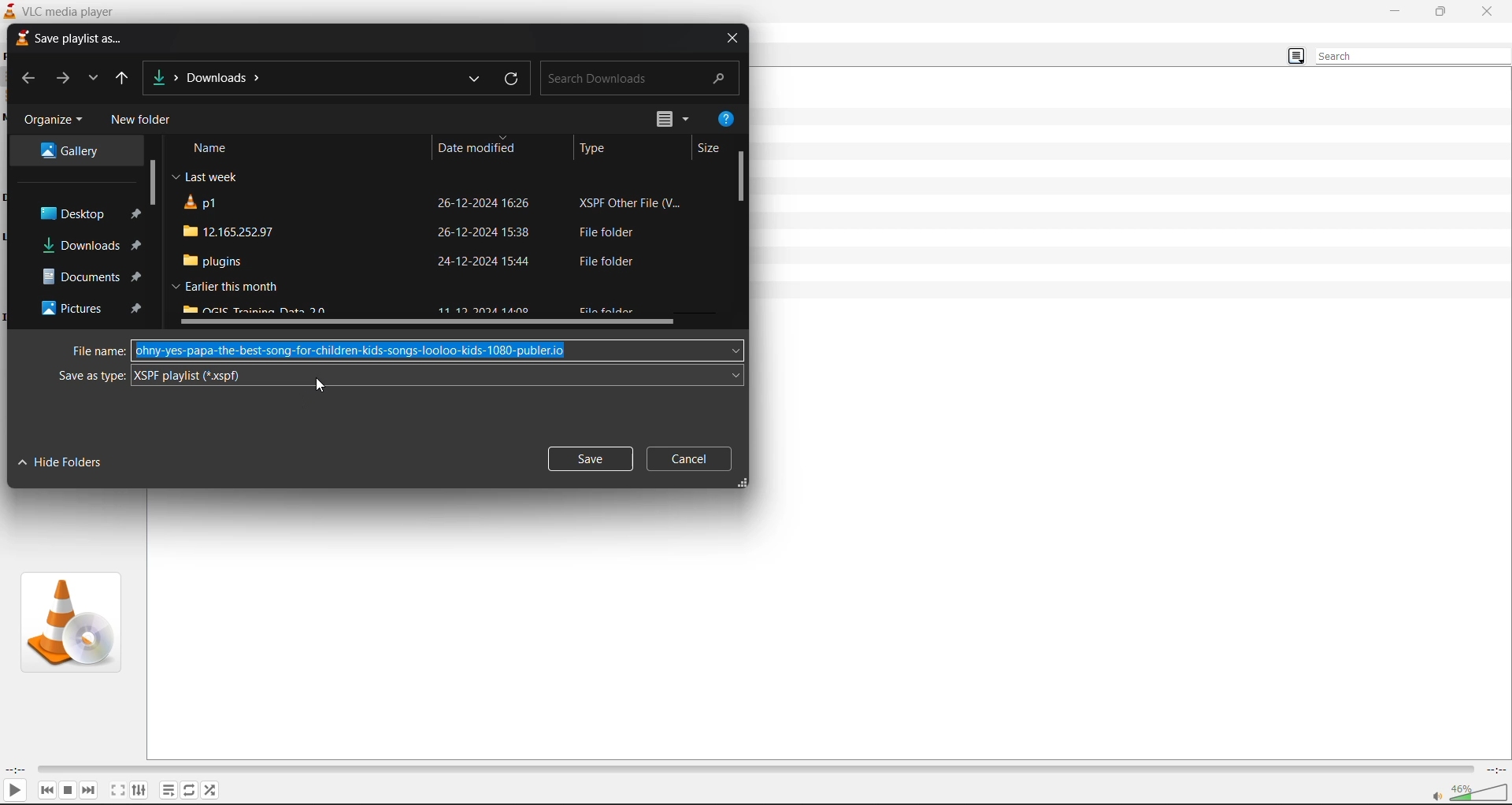 The width and height of the screenshot is (1512, 805). Describe the element at coordinates (87, 276) in the screenshot. I see `documents` at that location.